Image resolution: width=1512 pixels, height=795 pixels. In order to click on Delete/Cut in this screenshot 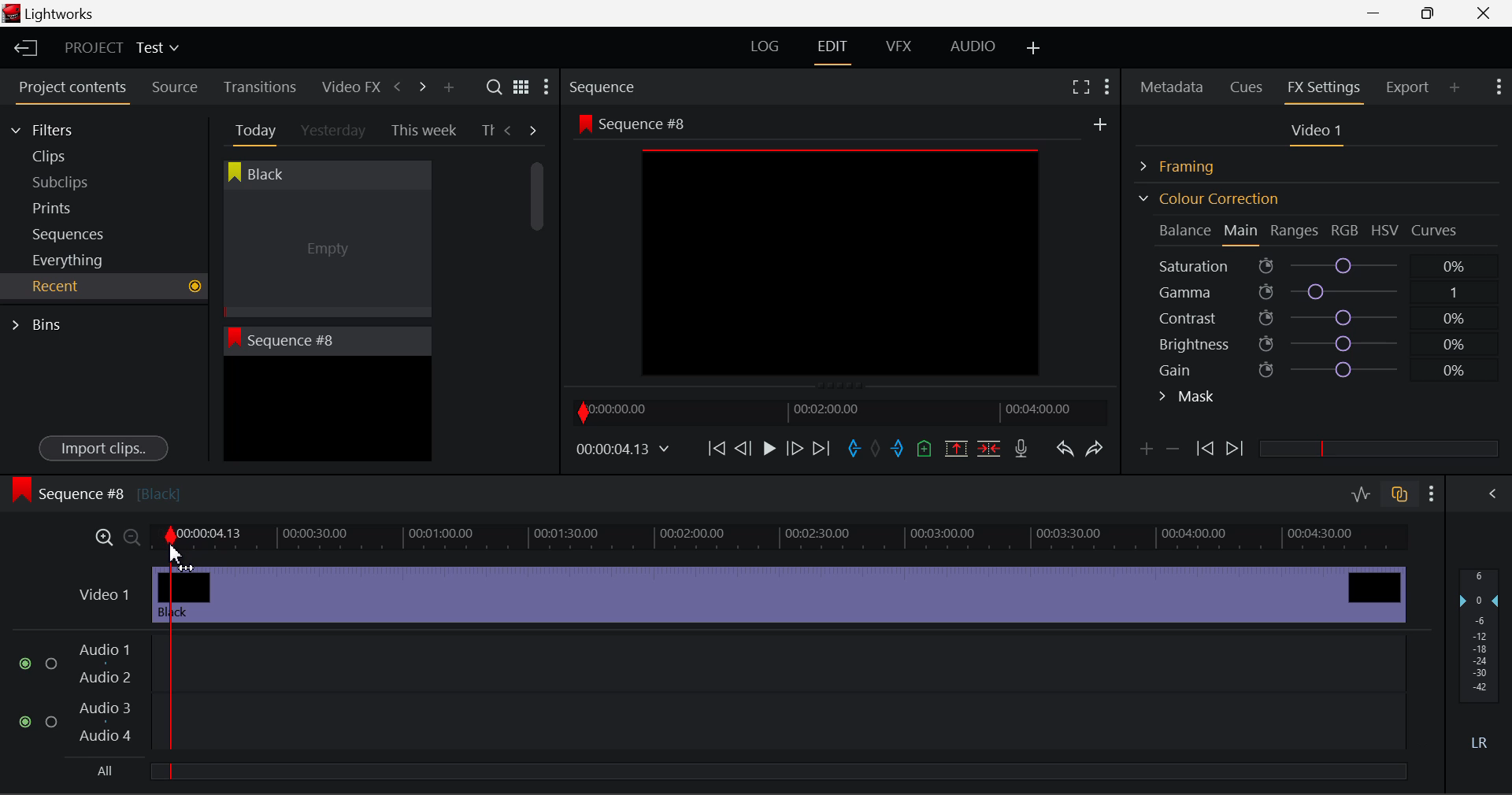, I will do `click(989, 448)`.